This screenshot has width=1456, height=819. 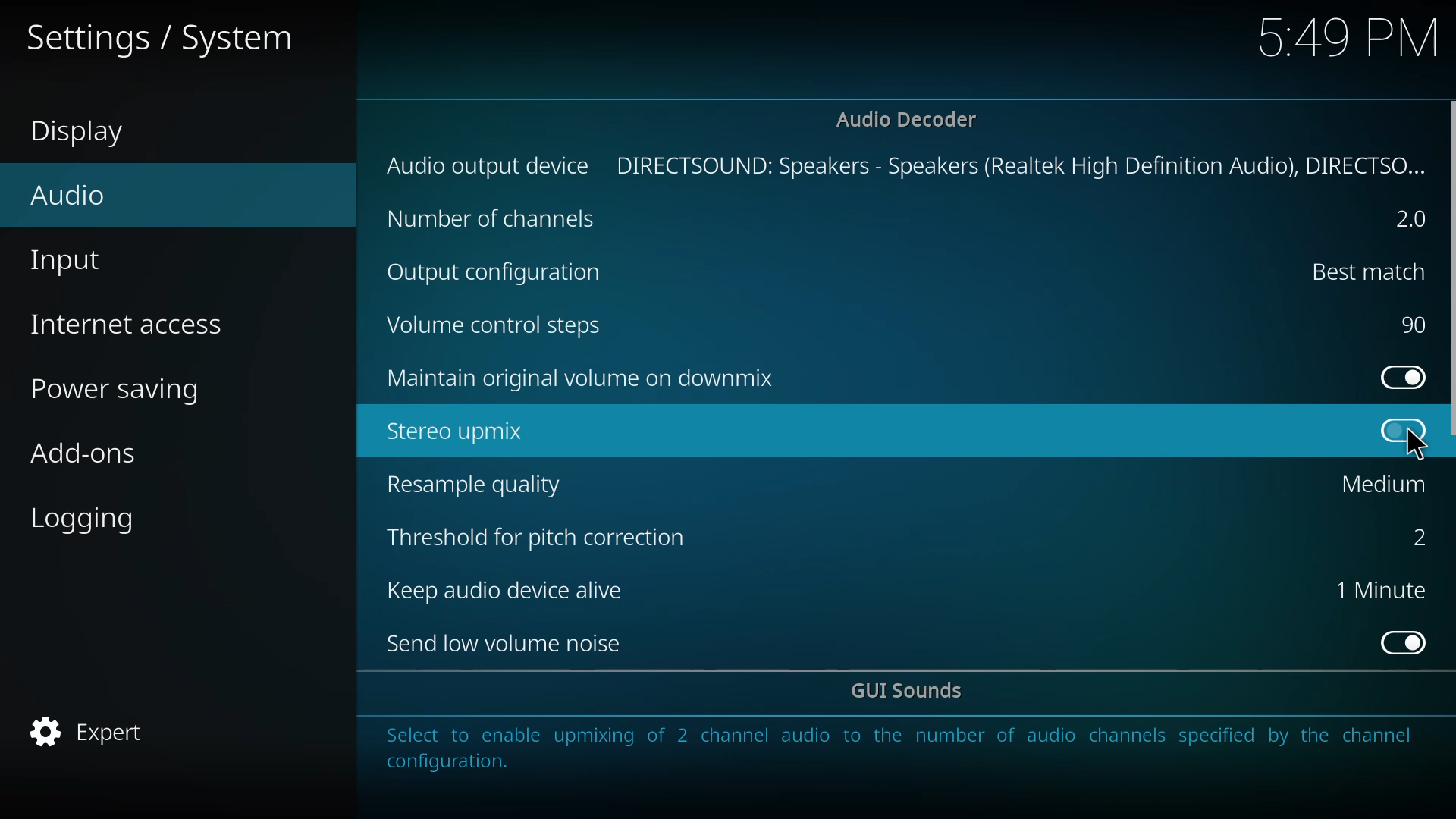 What do you see at coordinates (502, 272) in the screenshot?
I see `output cofig` at bounding box center [502, 272].